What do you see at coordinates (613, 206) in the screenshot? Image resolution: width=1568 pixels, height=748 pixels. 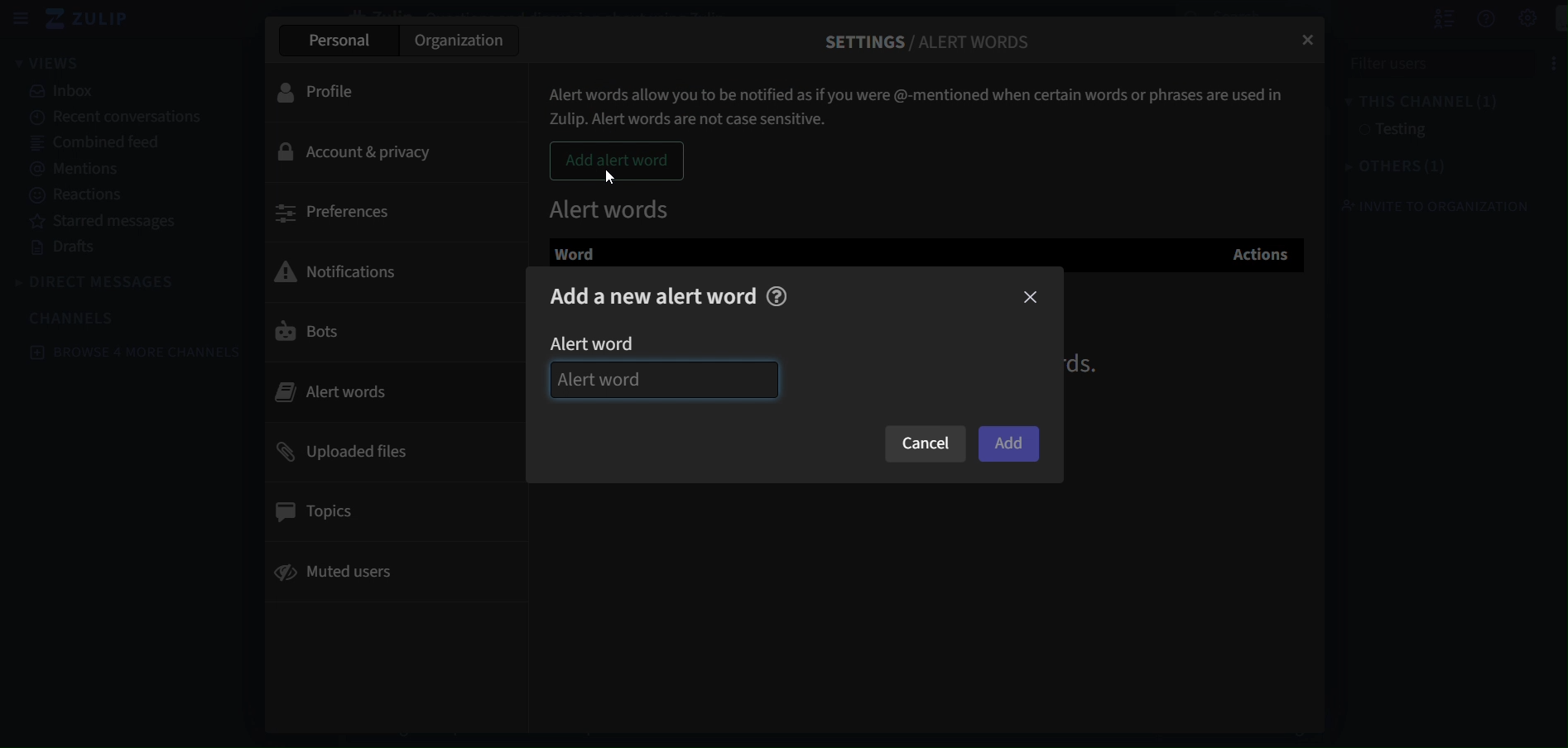 I see `alert words` at bounding box center [613, 206].